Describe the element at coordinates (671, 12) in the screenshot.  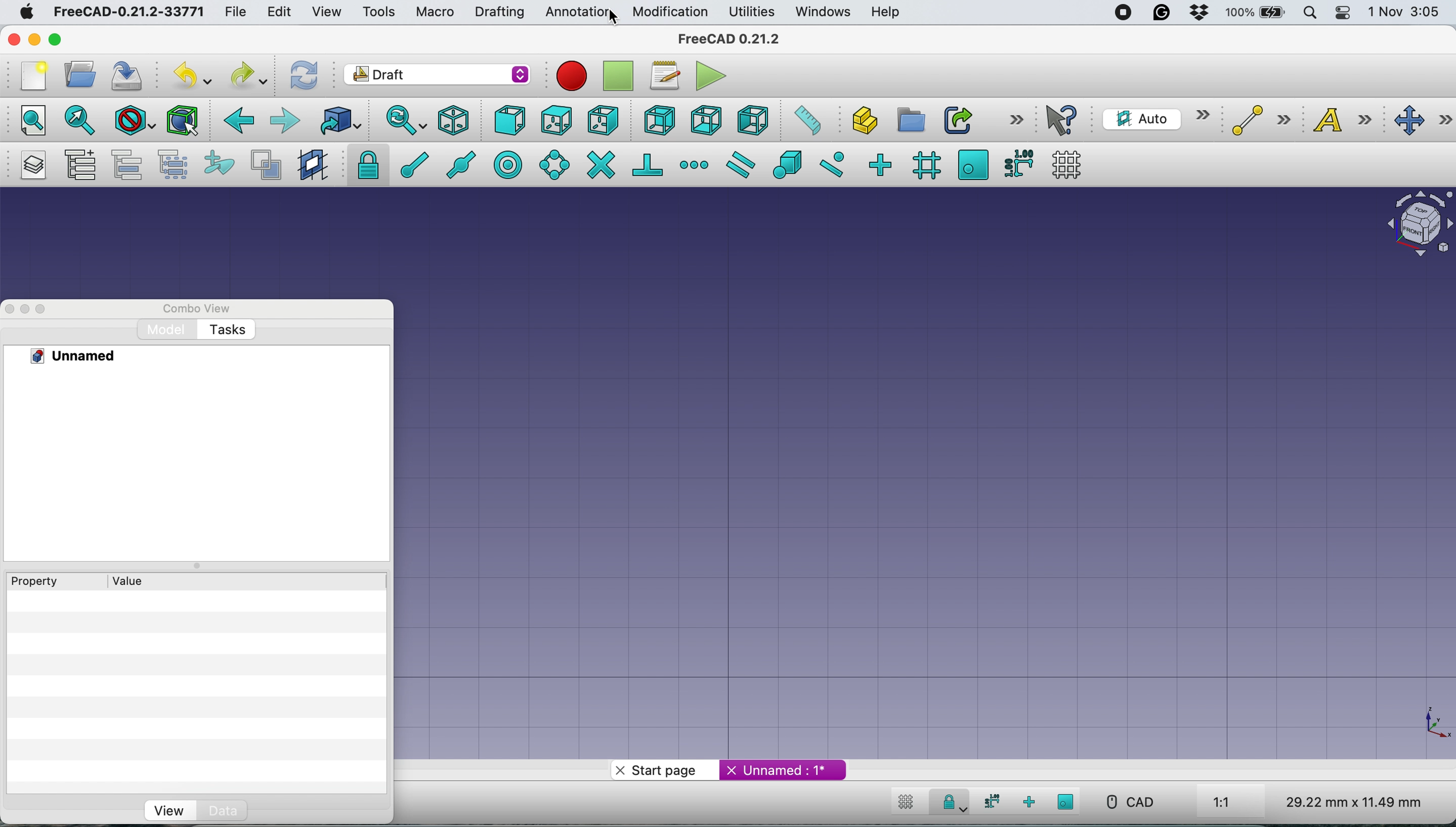
I see `modification` at that location.